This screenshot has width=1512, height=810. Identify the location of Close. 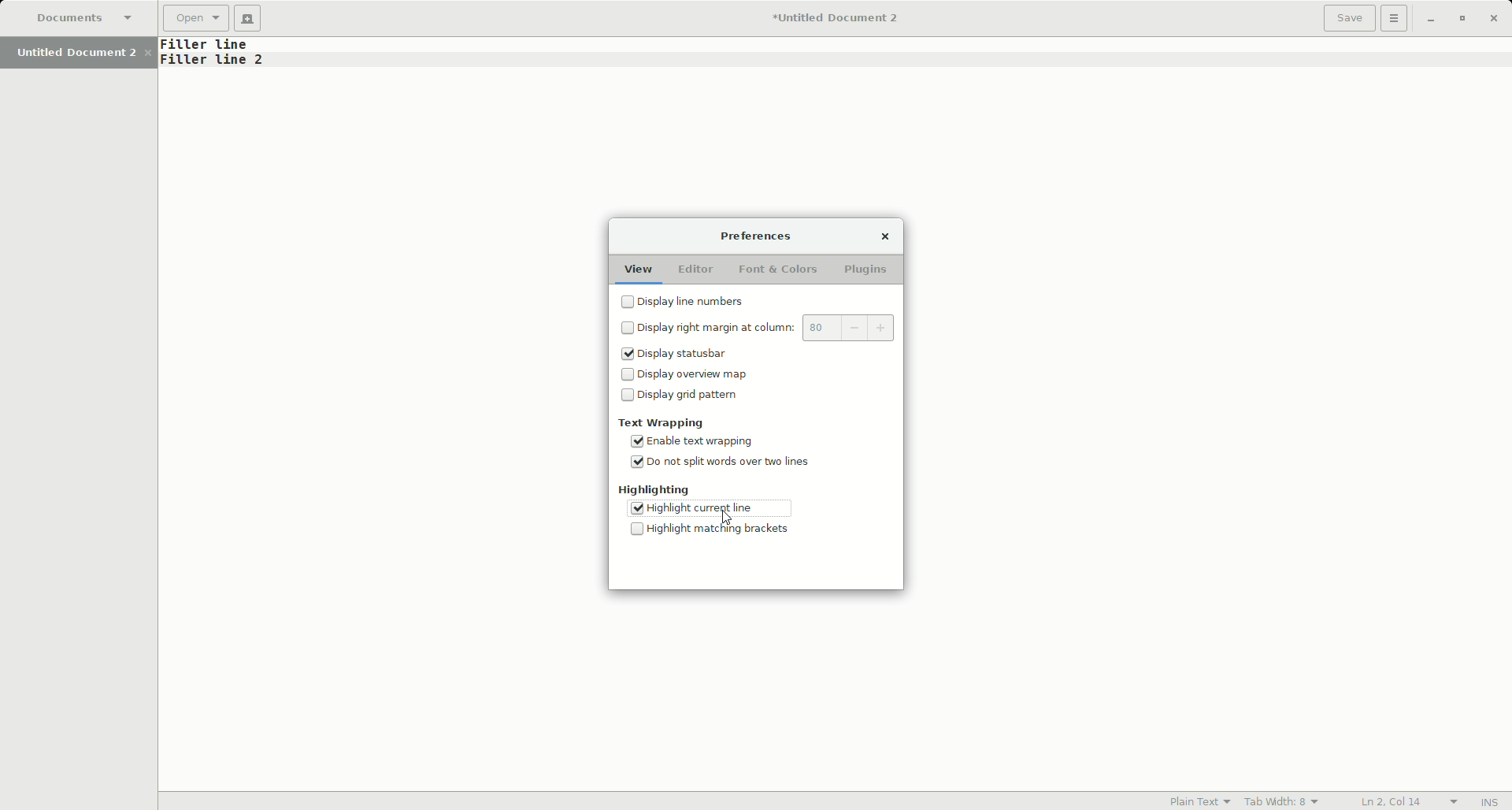
(1495, 18).